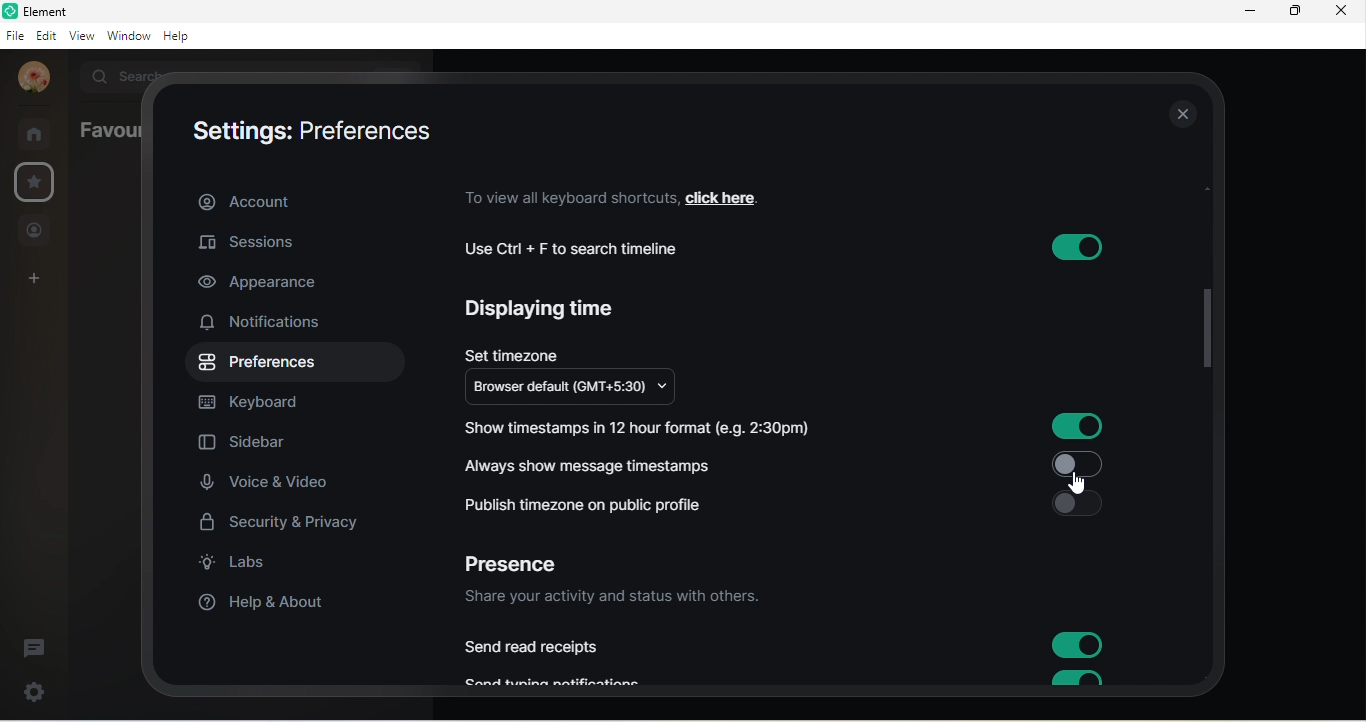  I want to click on favorites, so click(33, 182).